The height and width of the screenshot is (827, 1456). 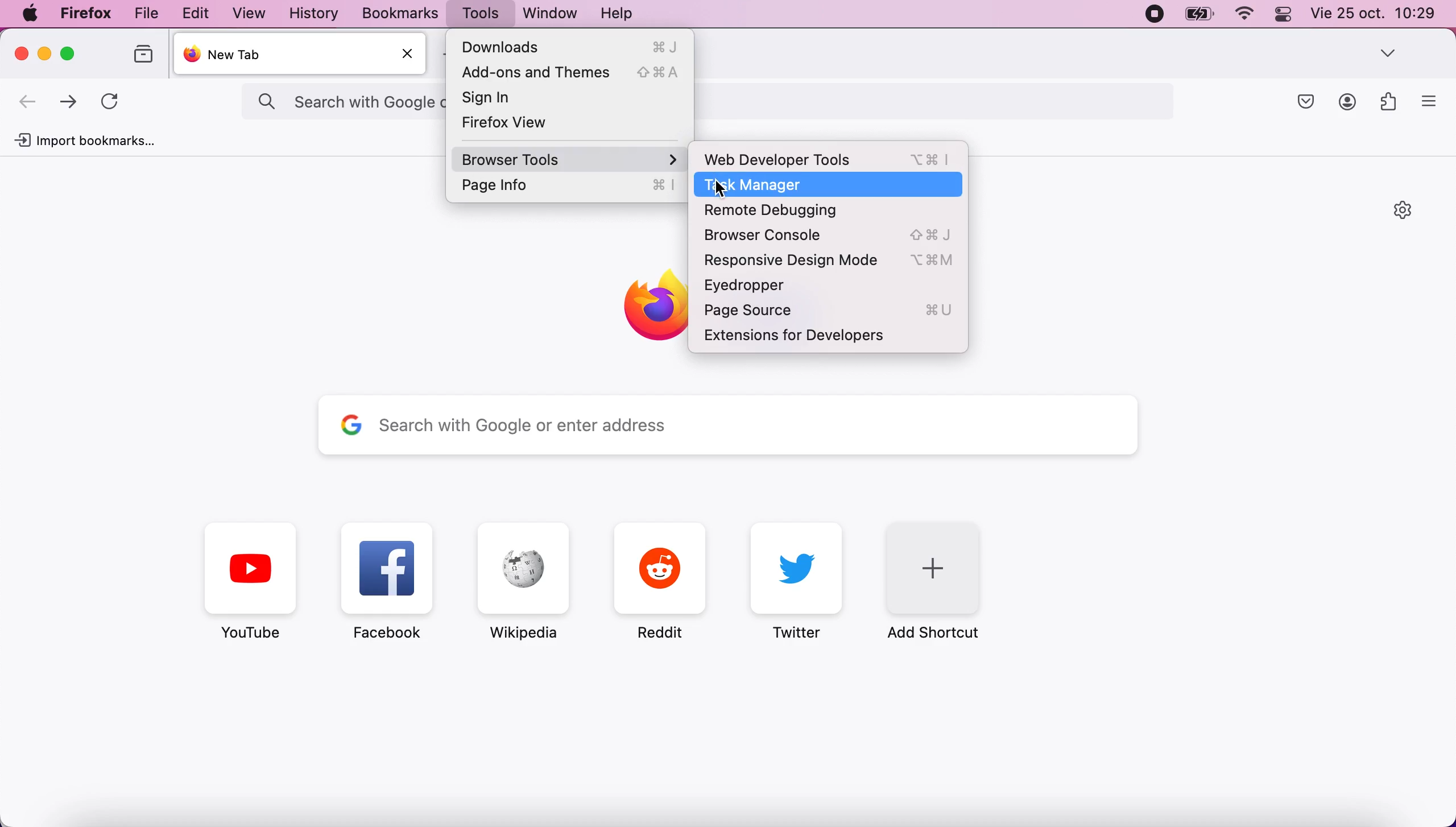 What do you see at coordinates (1306, 102) in the screenshot?
I see `Macsafe` at bounding box center [1306, 102].